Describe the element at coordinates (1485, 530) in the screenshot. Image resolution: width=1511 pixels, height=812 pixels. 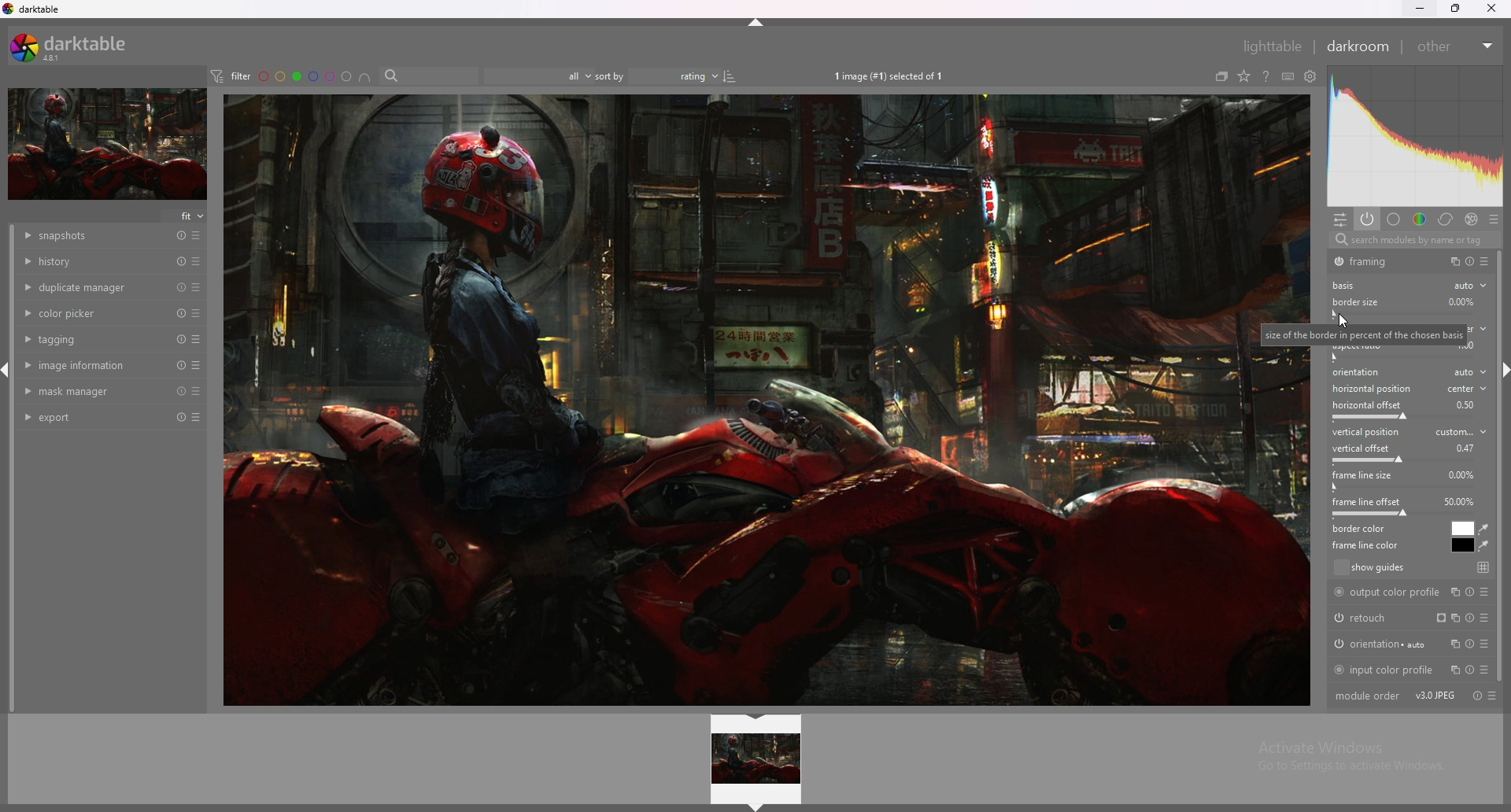
I see `waterdrop` at that location.